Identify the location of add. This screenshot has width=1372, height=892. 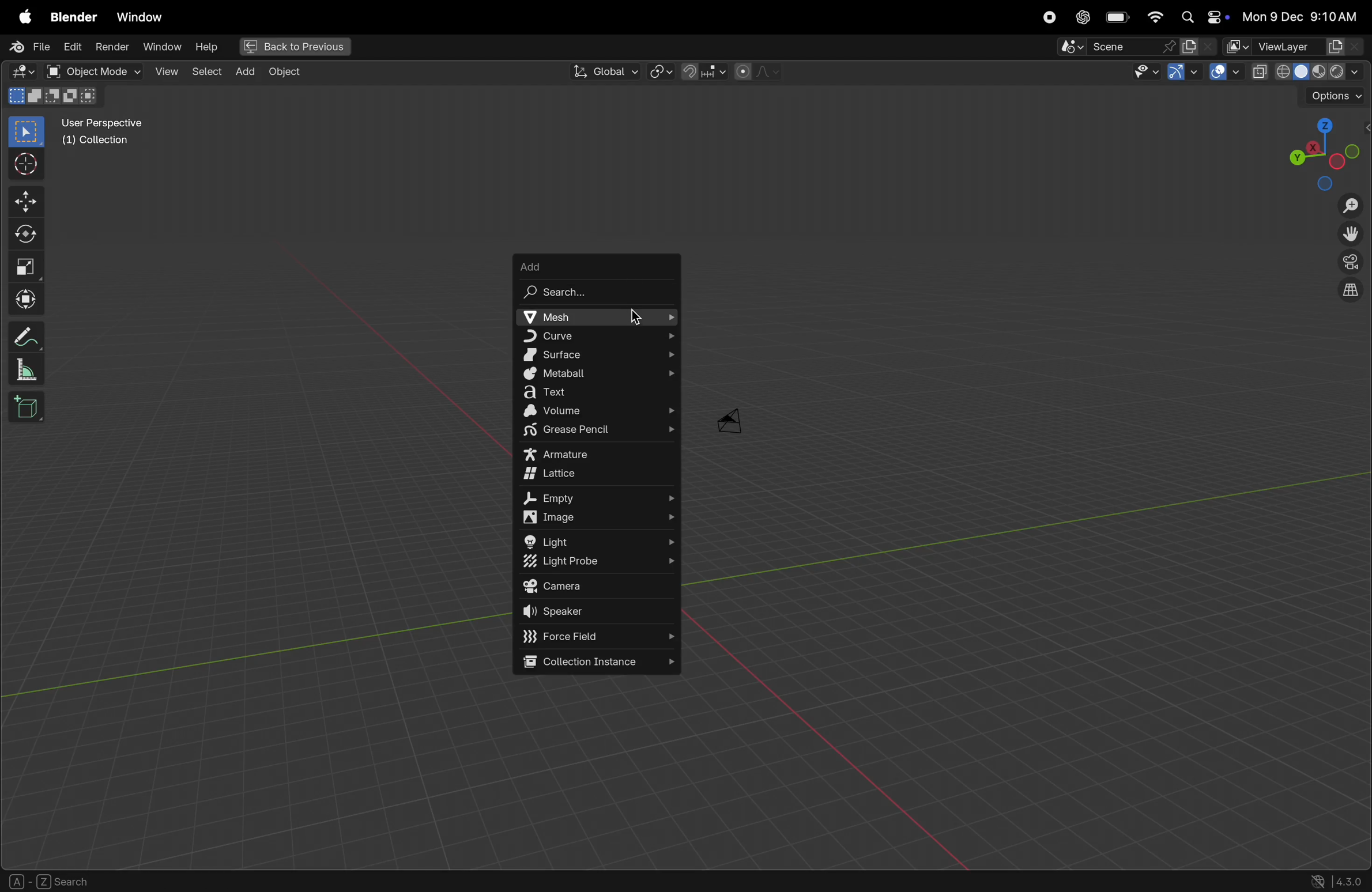
(597, 263).